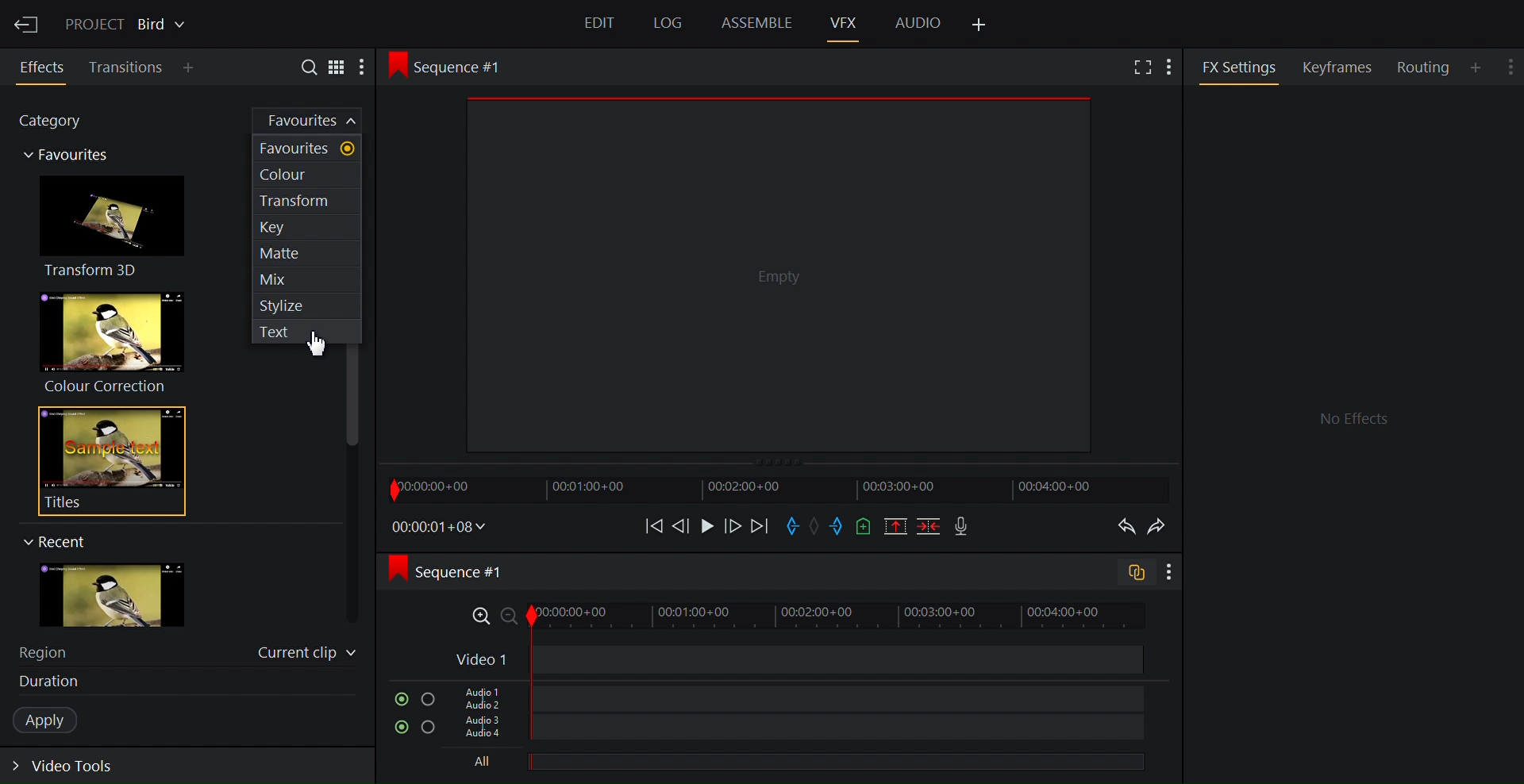  Describe the element at coordinates (1168, 573) in the screenshot. I see `Show settings menu` at that location.